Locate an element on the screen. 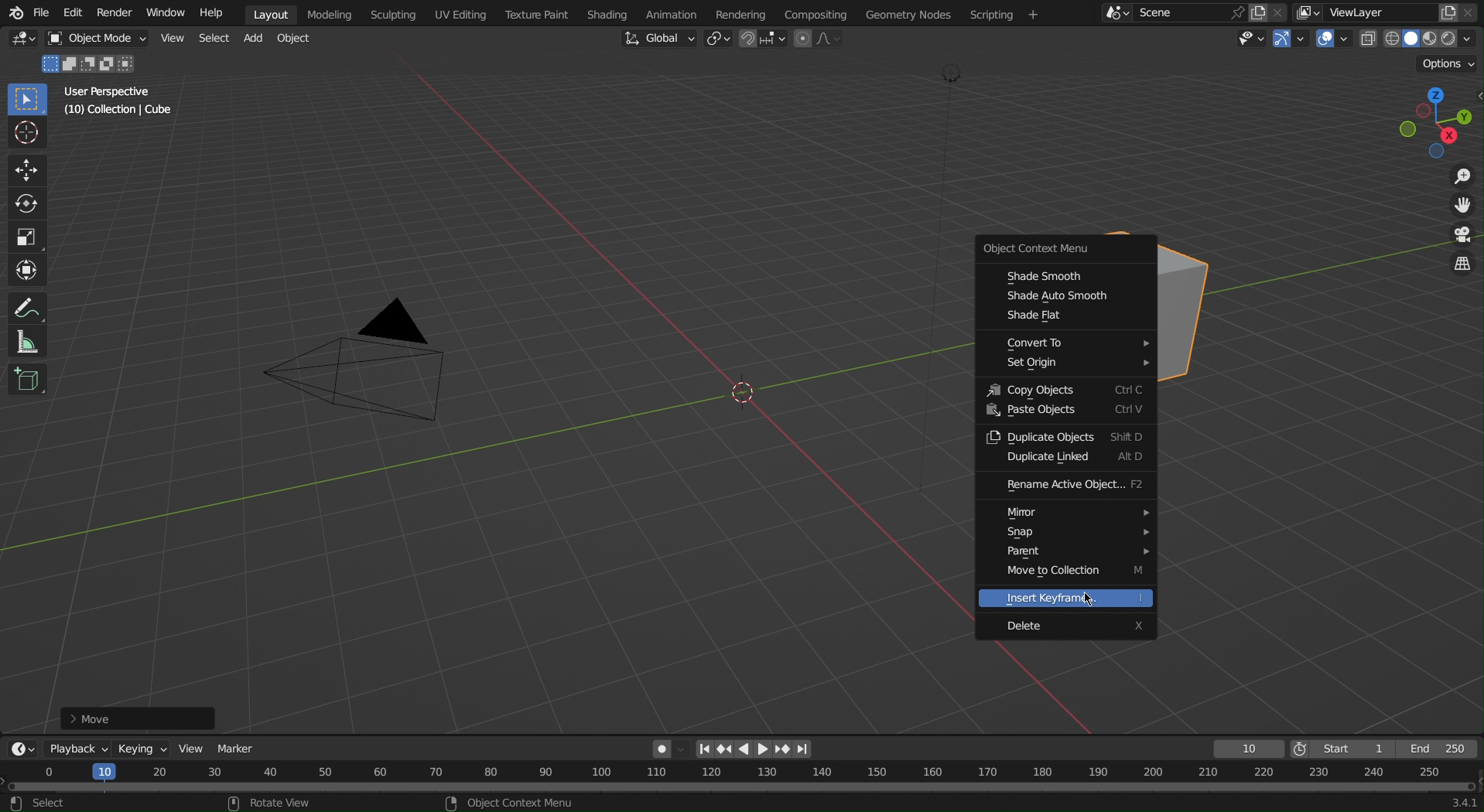 The width and height of the screenshot is (1484, 812). More layer is located at coordinates (1308, 13).